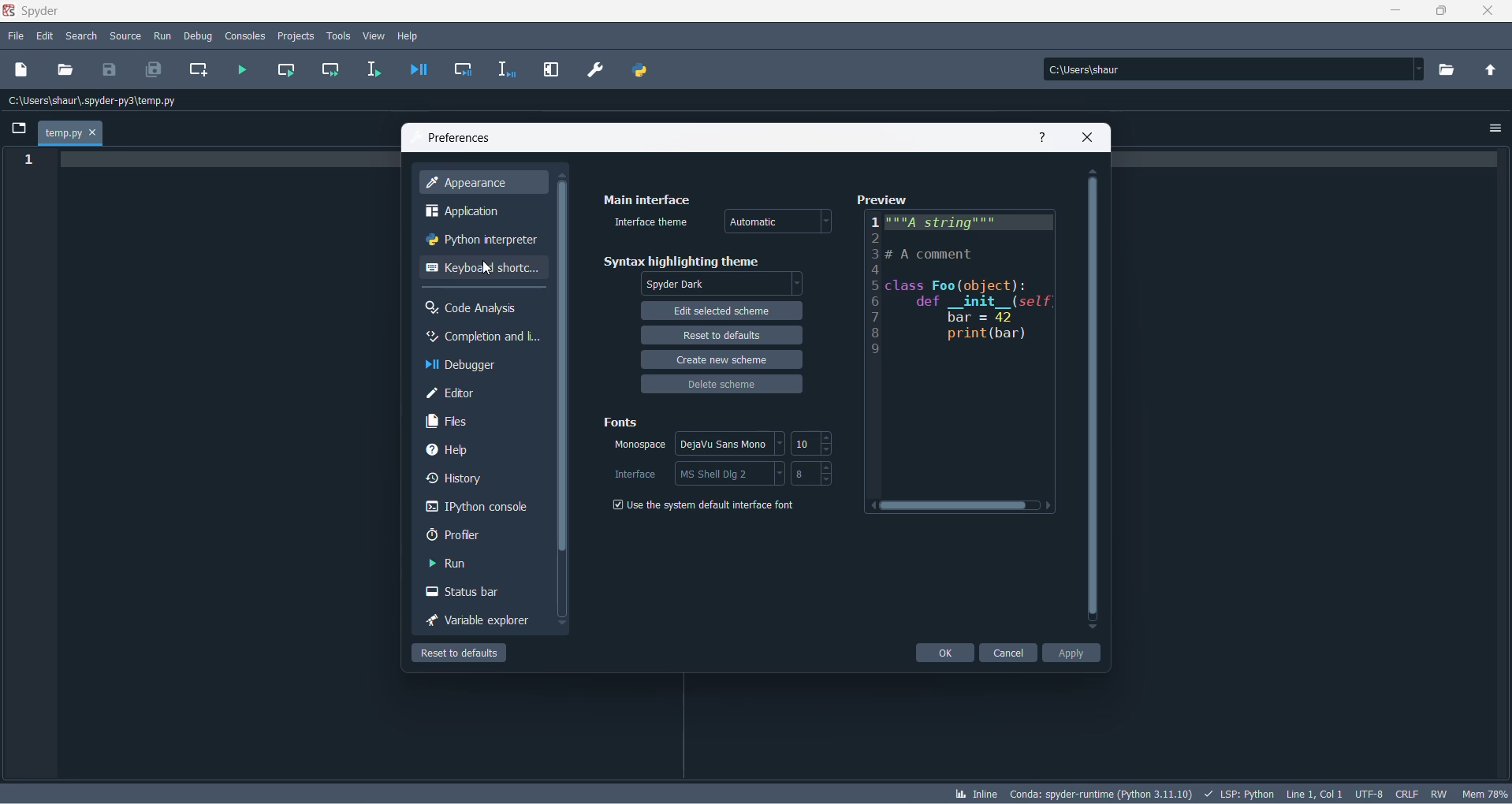 Image resolution: width=1512 pixels, height=804 pixels. Describe the element at coordinates (731, 445) in the screenshot. I see `font style options` at that location.